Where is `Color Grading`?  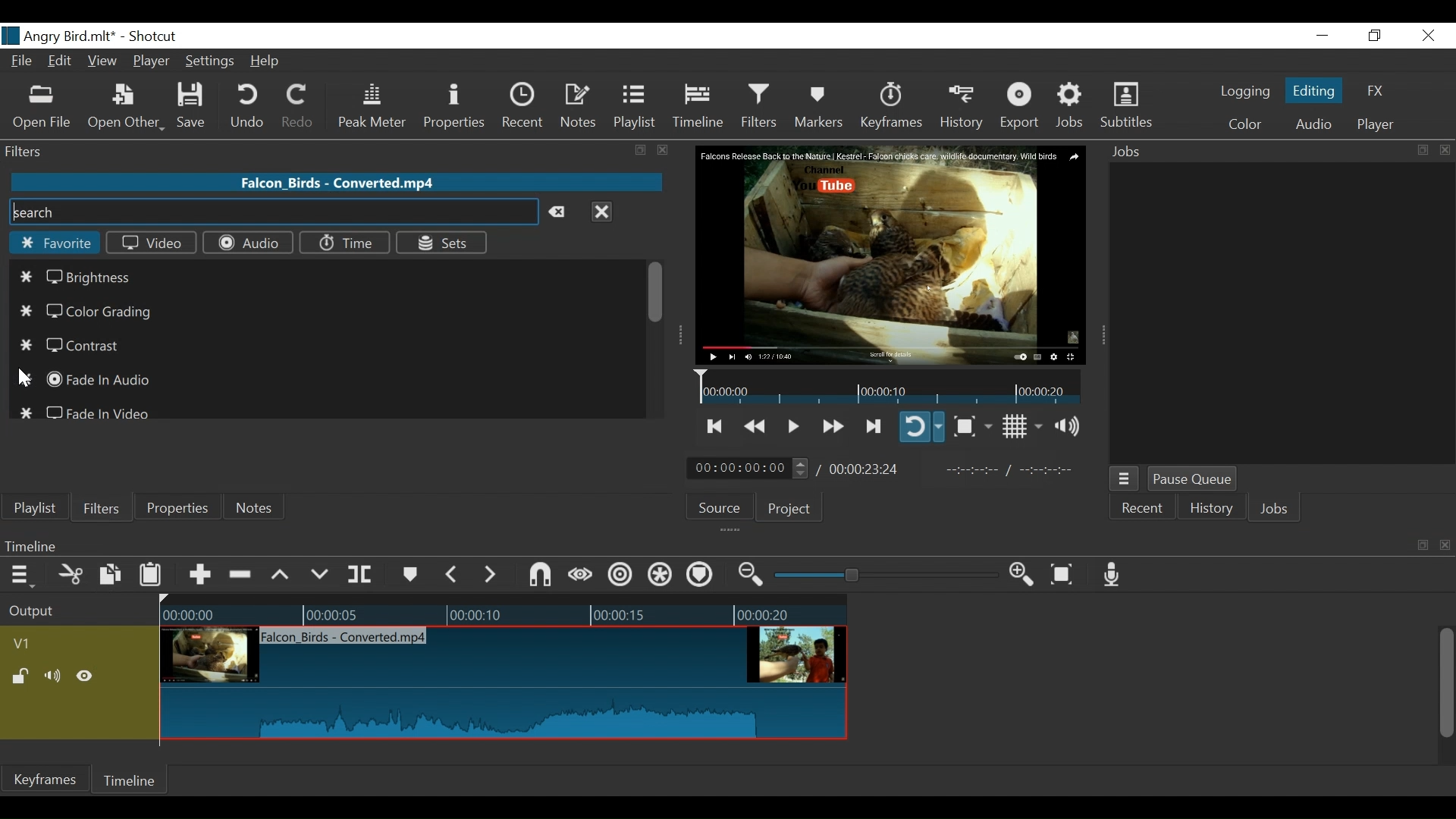
Color Grading is located at coordinates (85, 312).